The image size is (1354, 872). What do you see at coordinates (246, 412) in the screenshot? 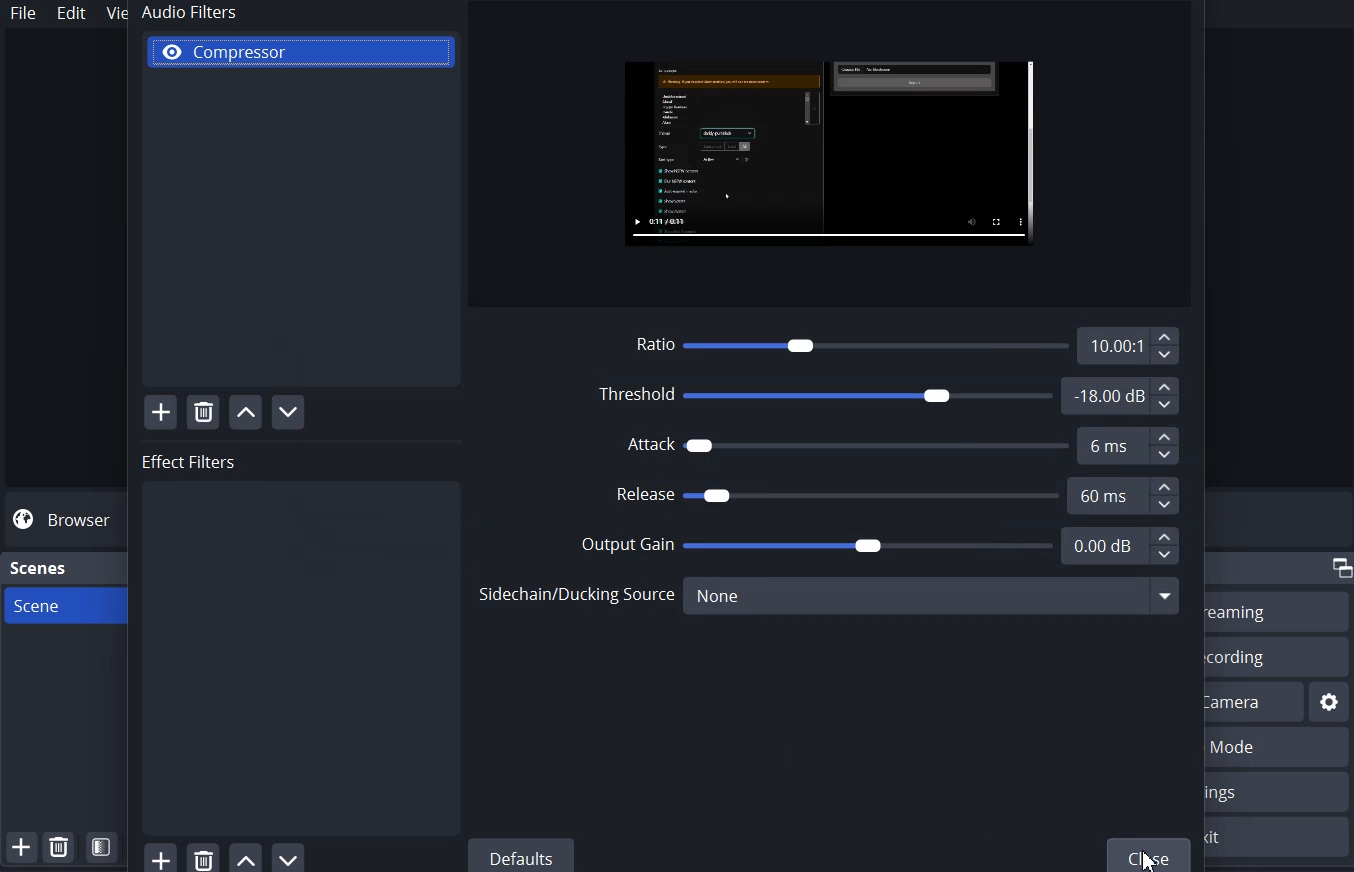
I see `Move Filter Up` at bounding box center [246, 412].